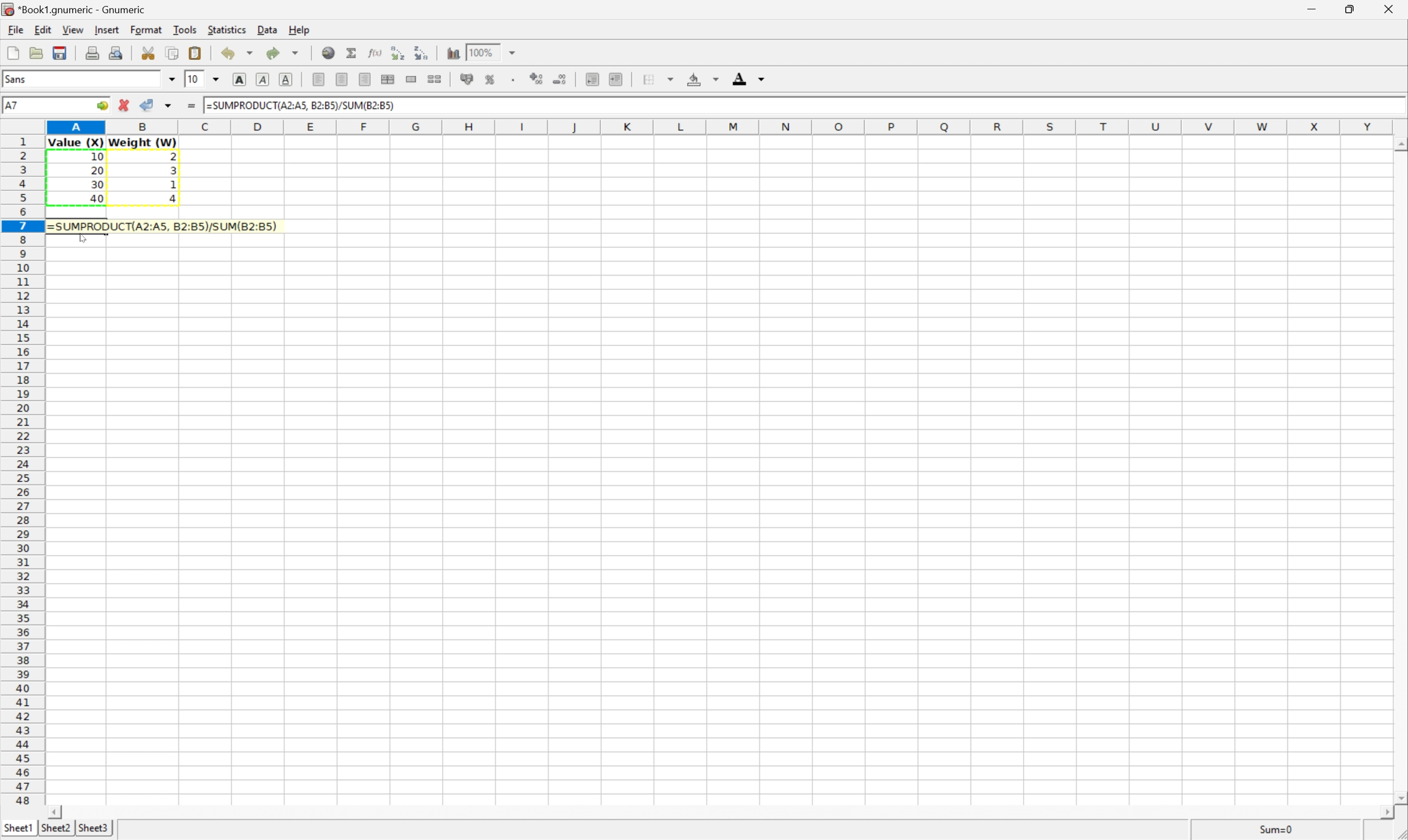 The width and height of the screenshot is (1408, 840). I want to click on Insert chart, so click(453, 53).